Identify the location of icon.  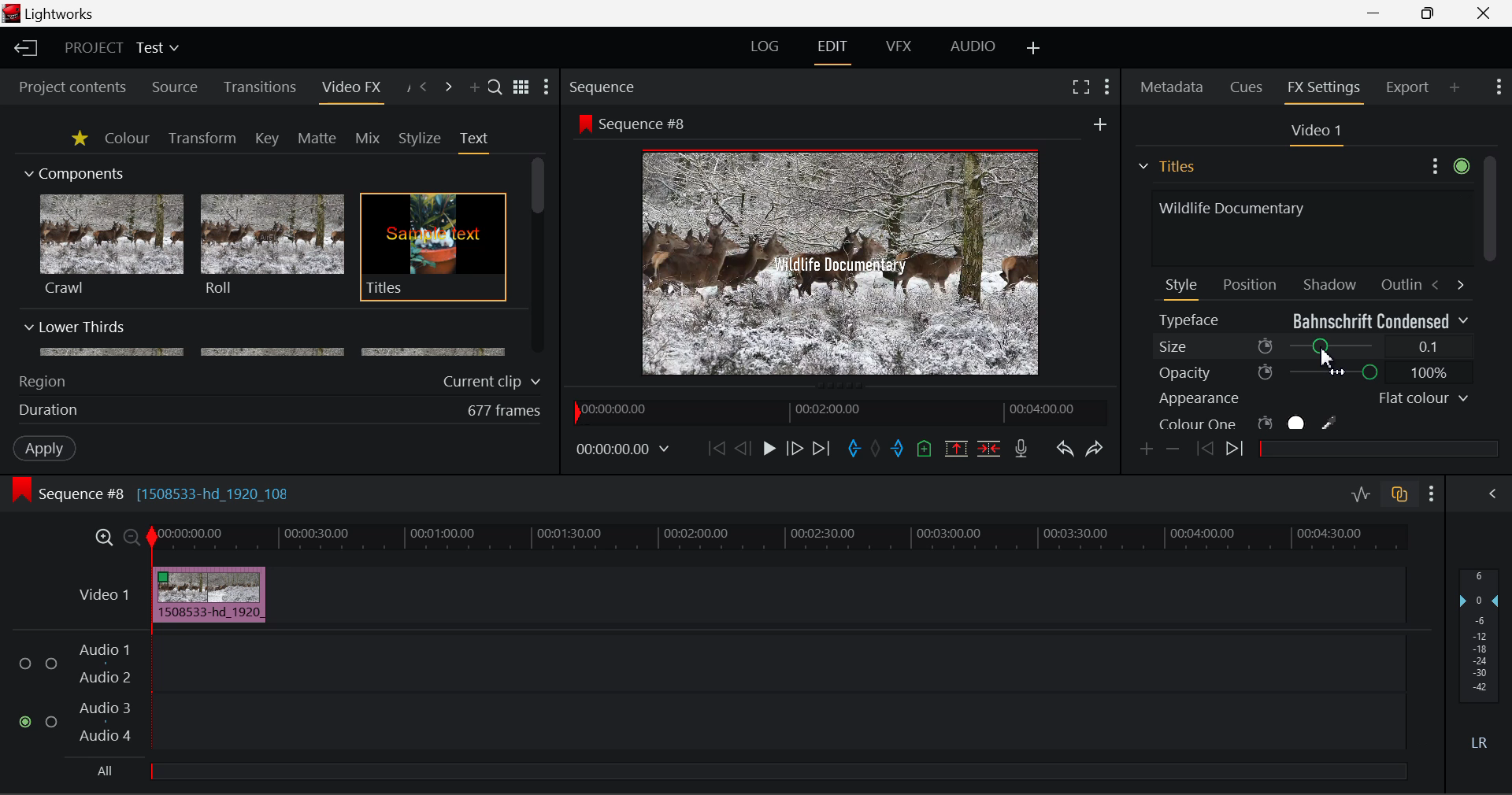
(20, 490).